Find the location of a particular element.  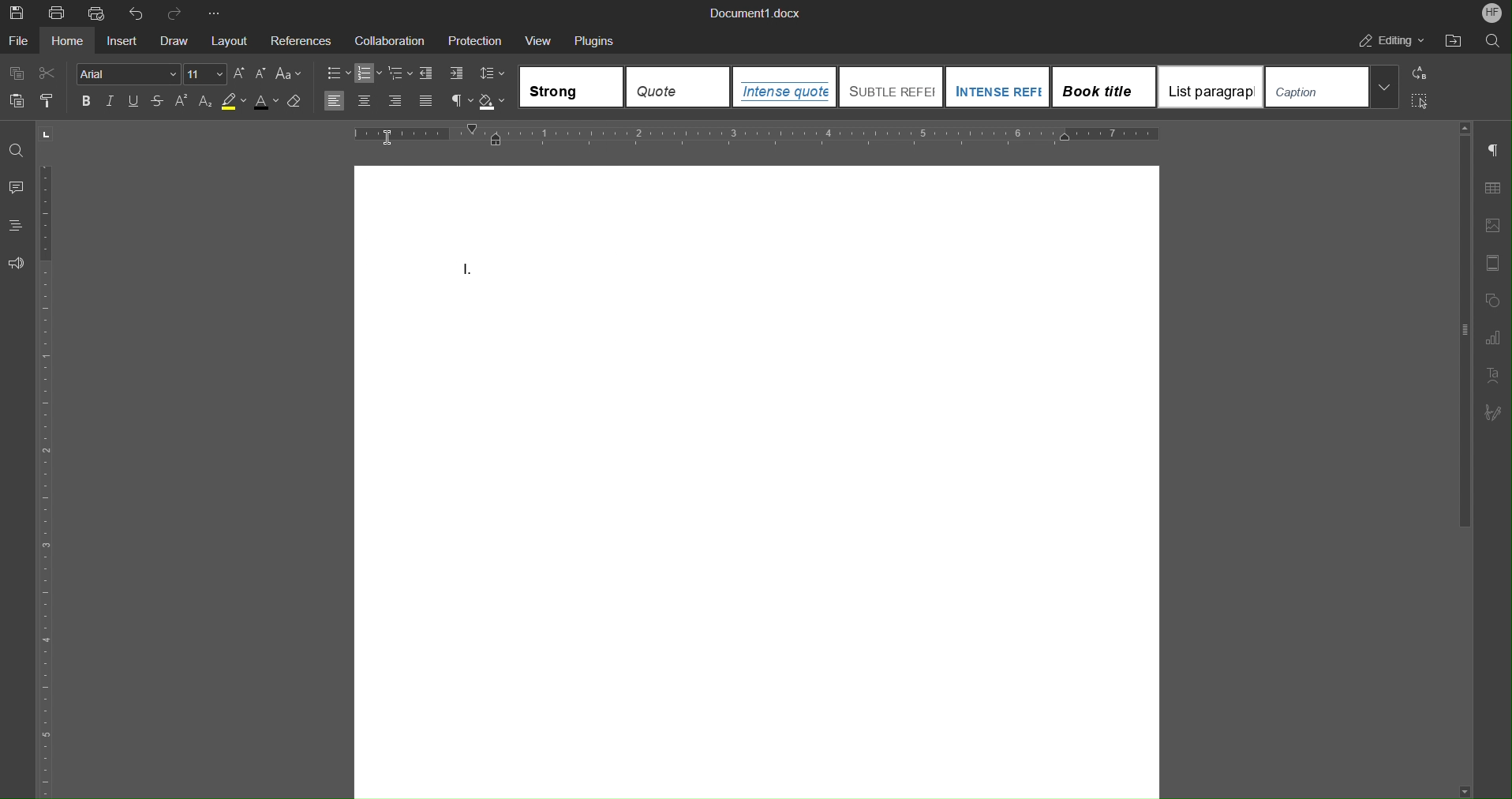

Erase Style is located at coordinates (297, 103).